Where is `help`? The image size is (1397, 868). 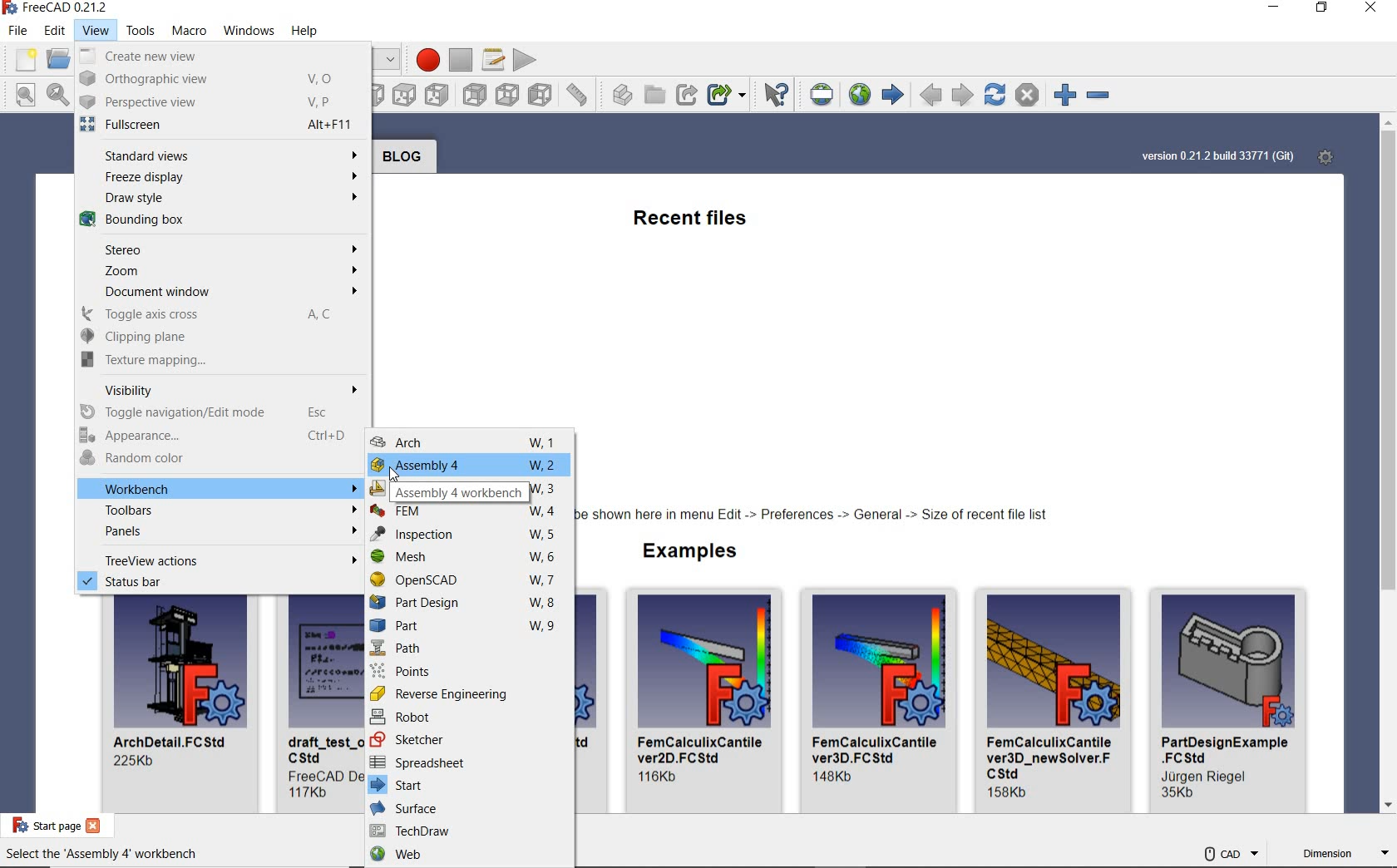
help is located at coordinates (305, 32).